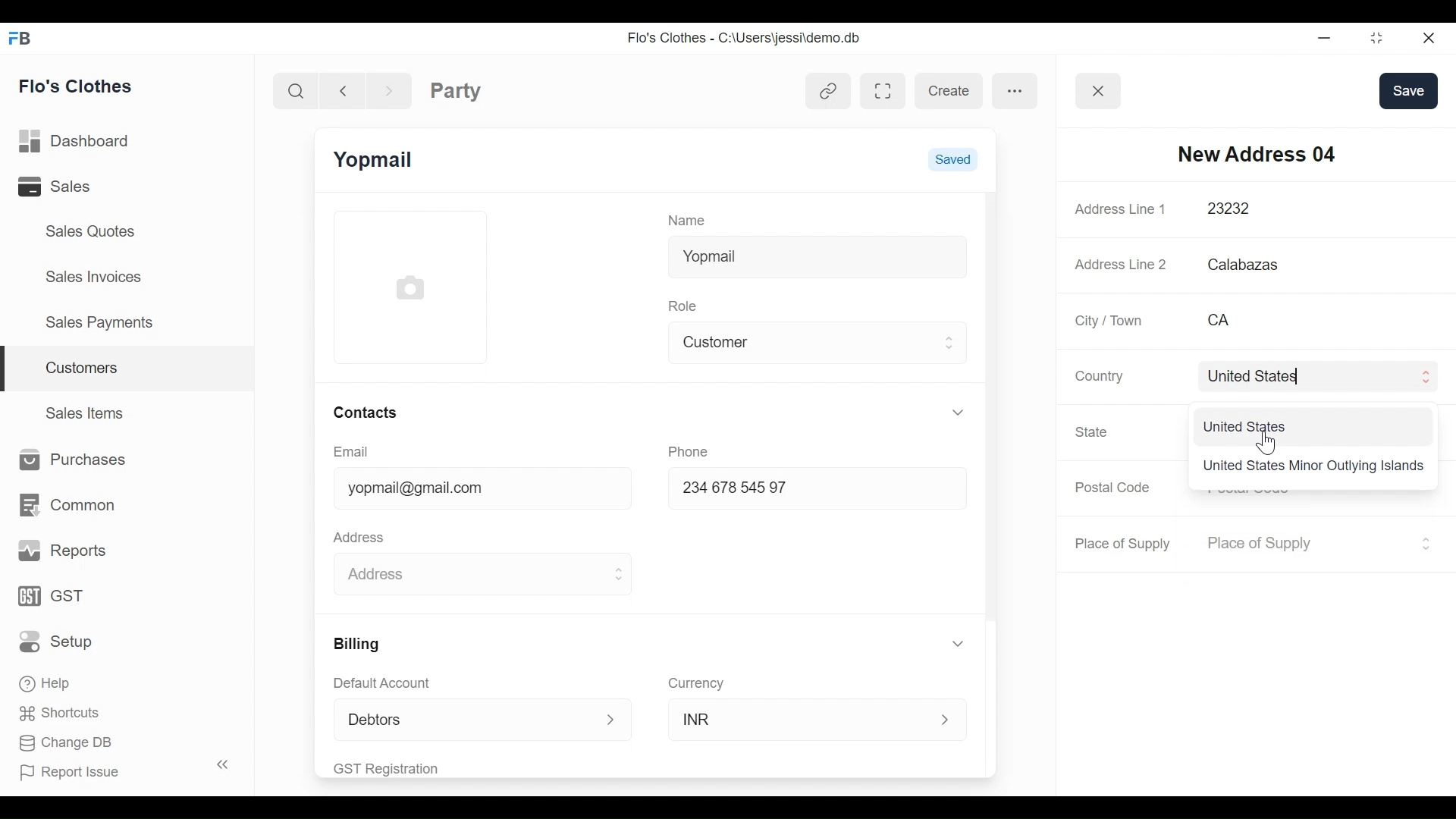 This screenshot has width=1456, height=819. What do you see at coordinates (1263, 443) in the screenshot?
I see `cursor` at bounding box center [1263, 443].